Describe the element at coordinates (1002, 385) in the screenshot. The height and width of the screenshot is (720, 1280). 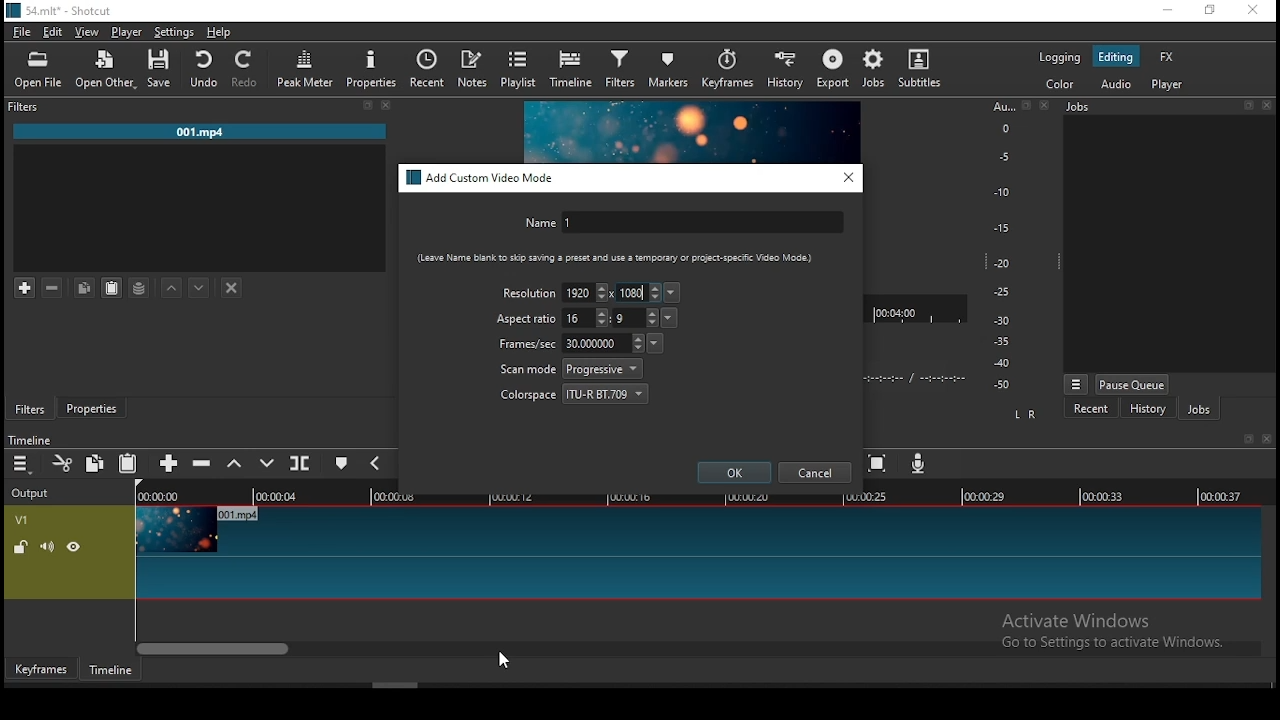
I see `-50` at that location.